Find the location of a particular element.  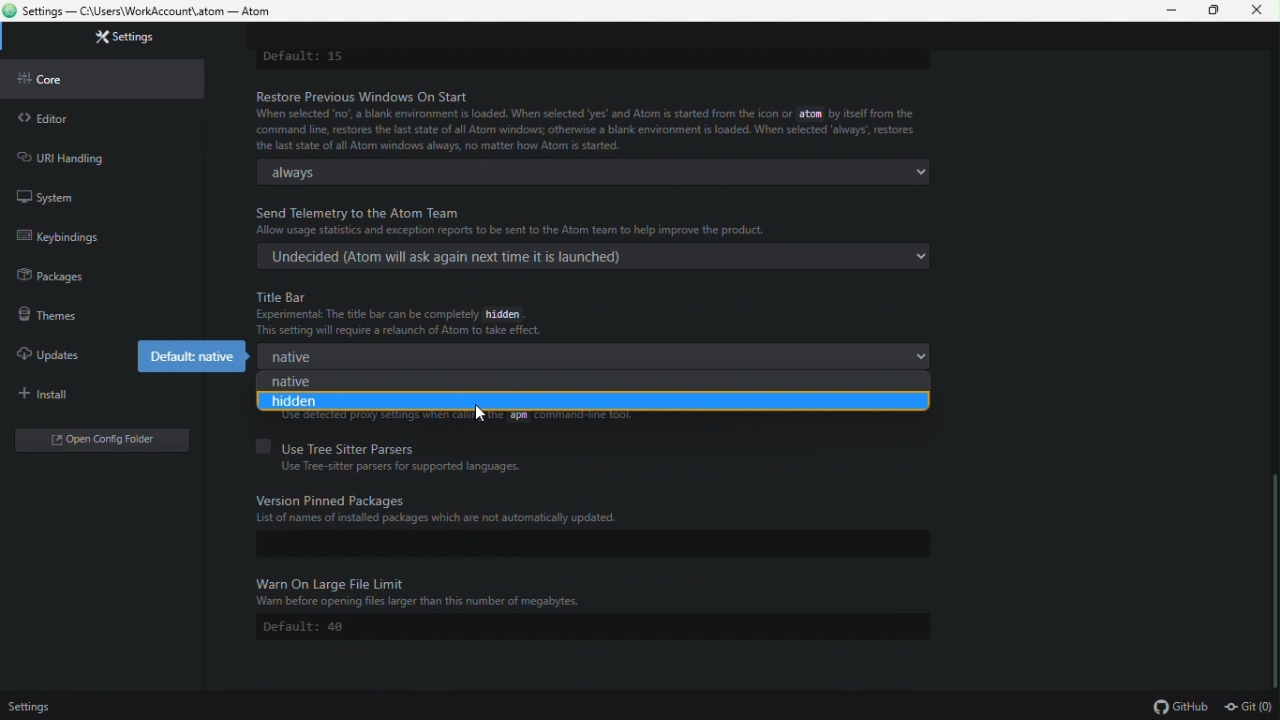

default:native is located at coordinates (188, 356).